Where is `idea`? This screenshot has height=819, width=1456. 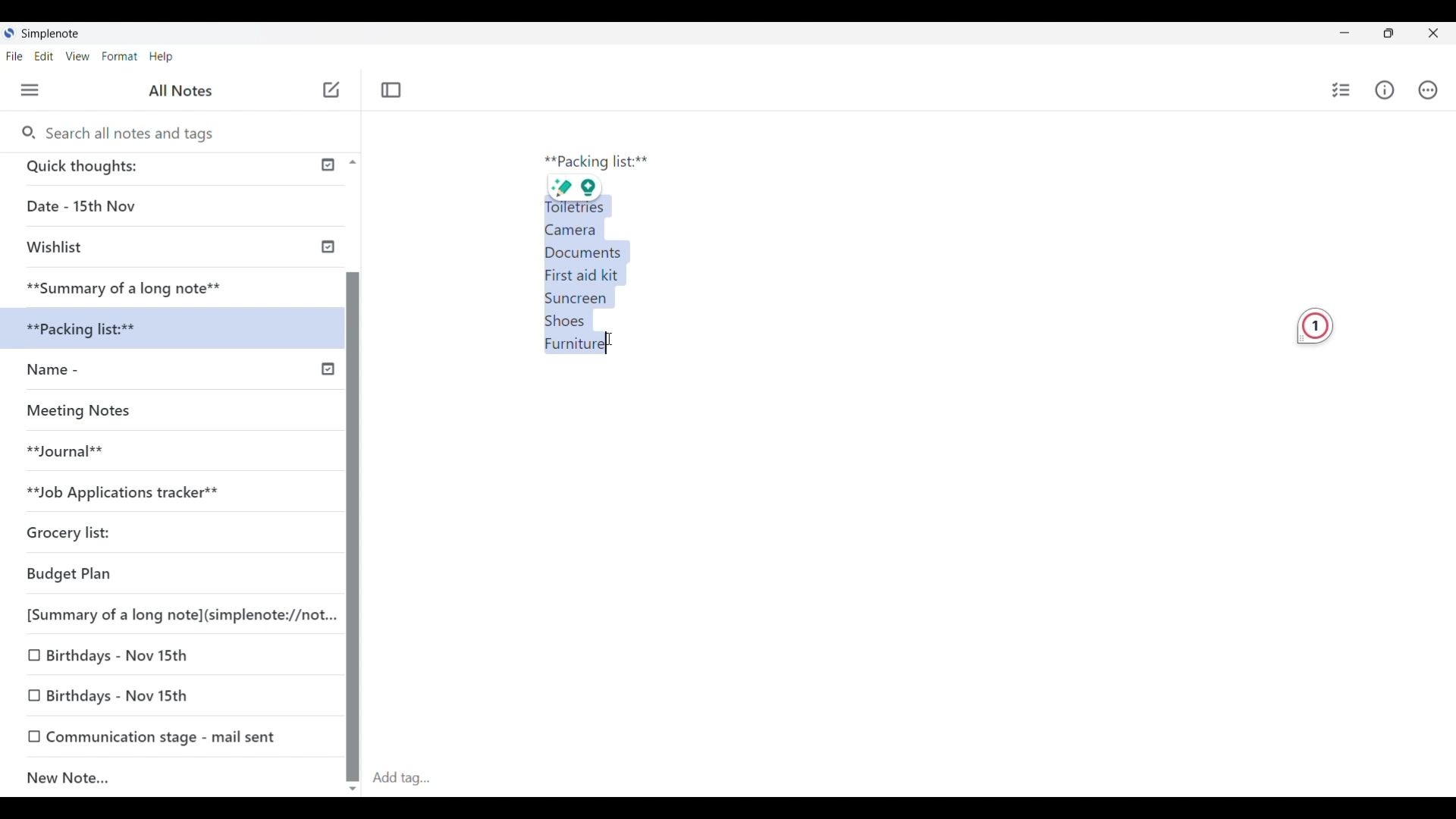
idea is located at coordinates (593, 187).